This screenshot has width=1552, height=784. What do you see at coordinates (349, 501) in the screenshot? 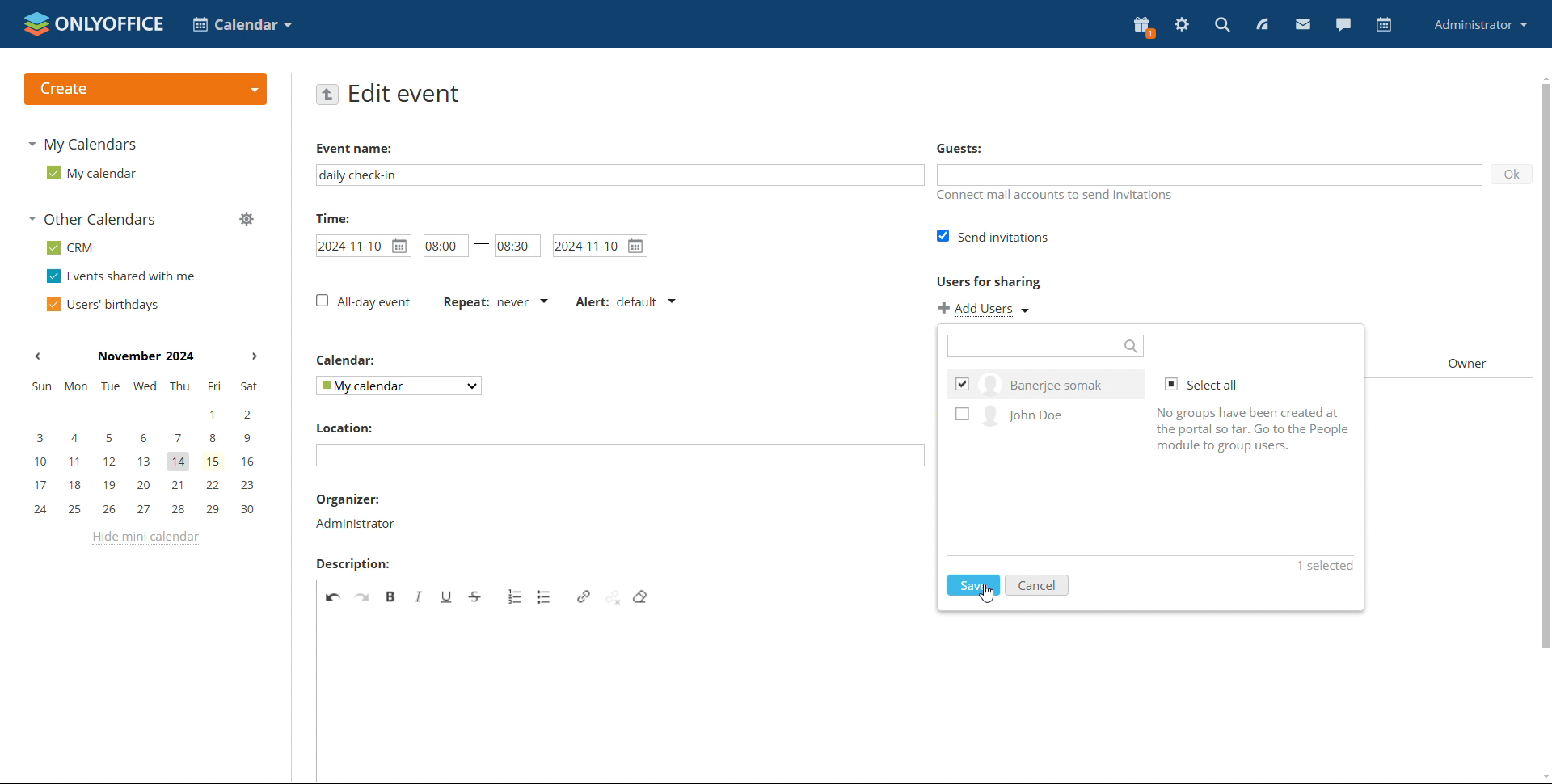
I see `organizer:` at bounding box center [349, 501].